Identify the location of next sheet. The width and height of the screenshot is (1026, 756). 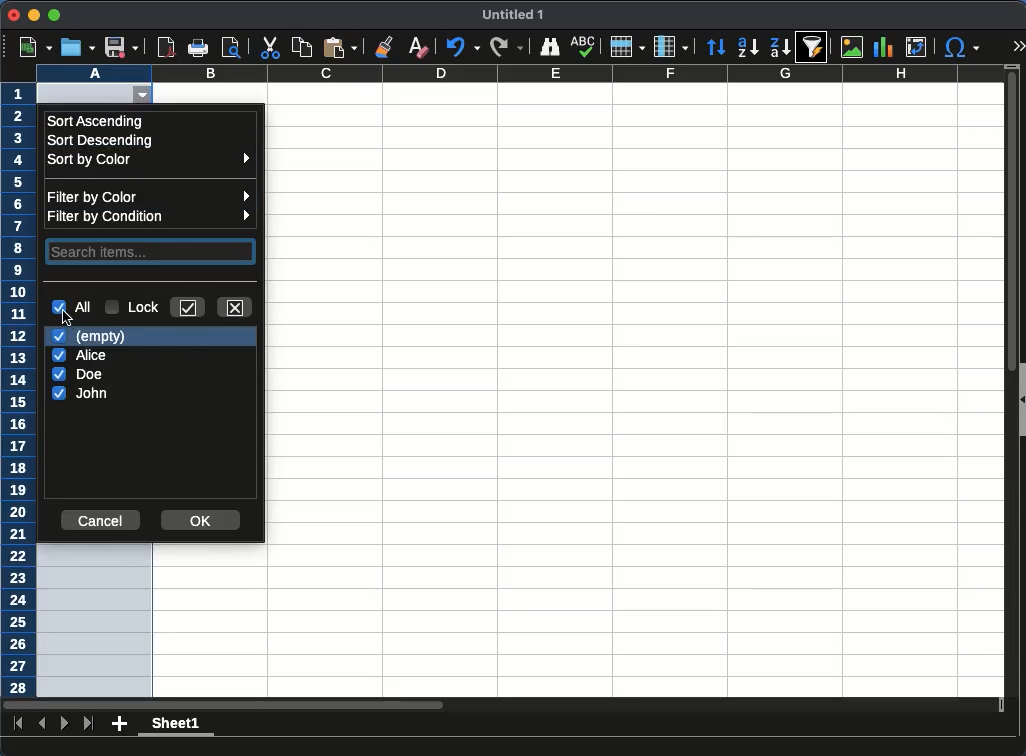
(63, 723).